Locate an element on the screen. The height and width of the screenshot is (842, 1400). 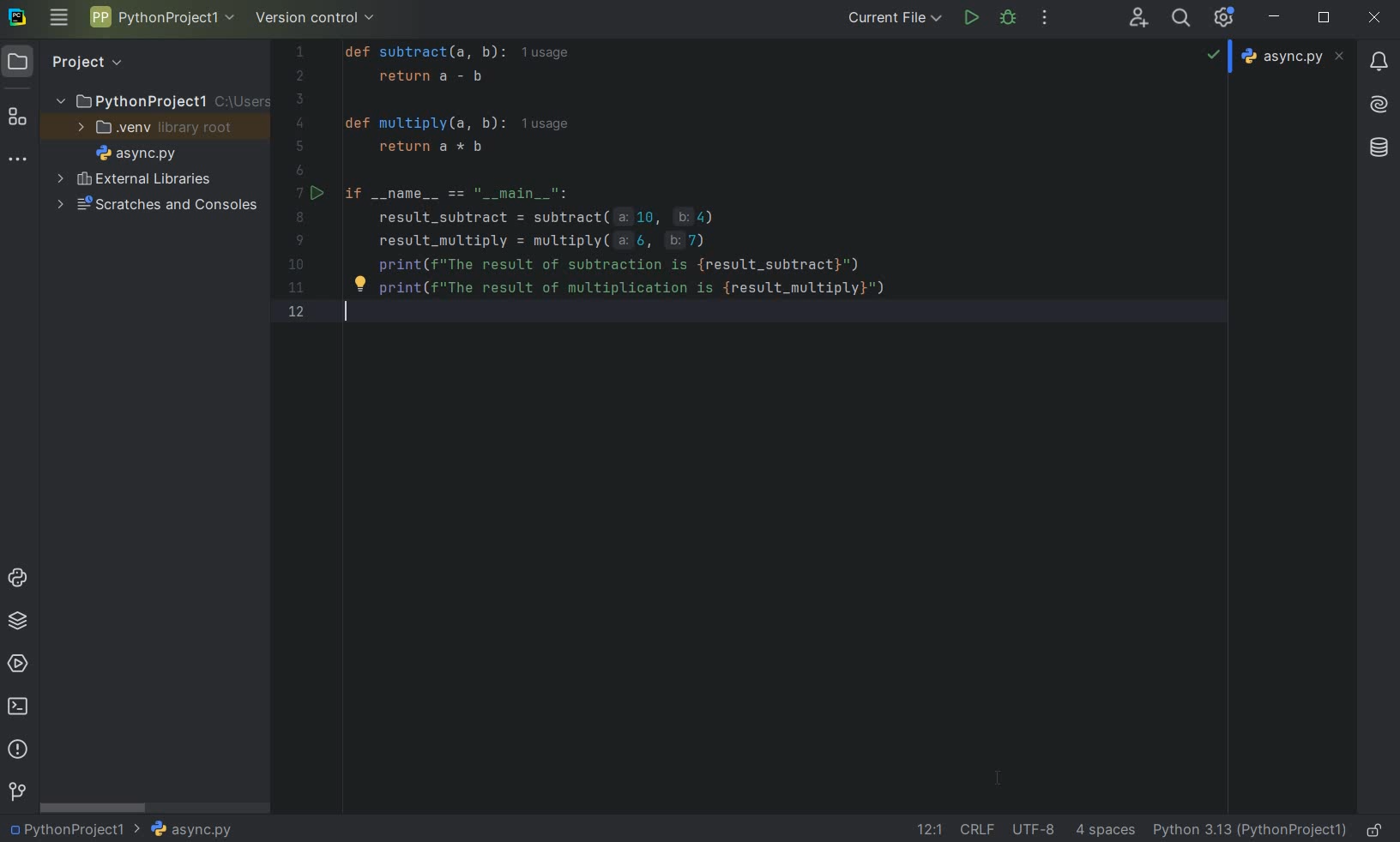
AI asistant is located at coordinates (1377, 99).